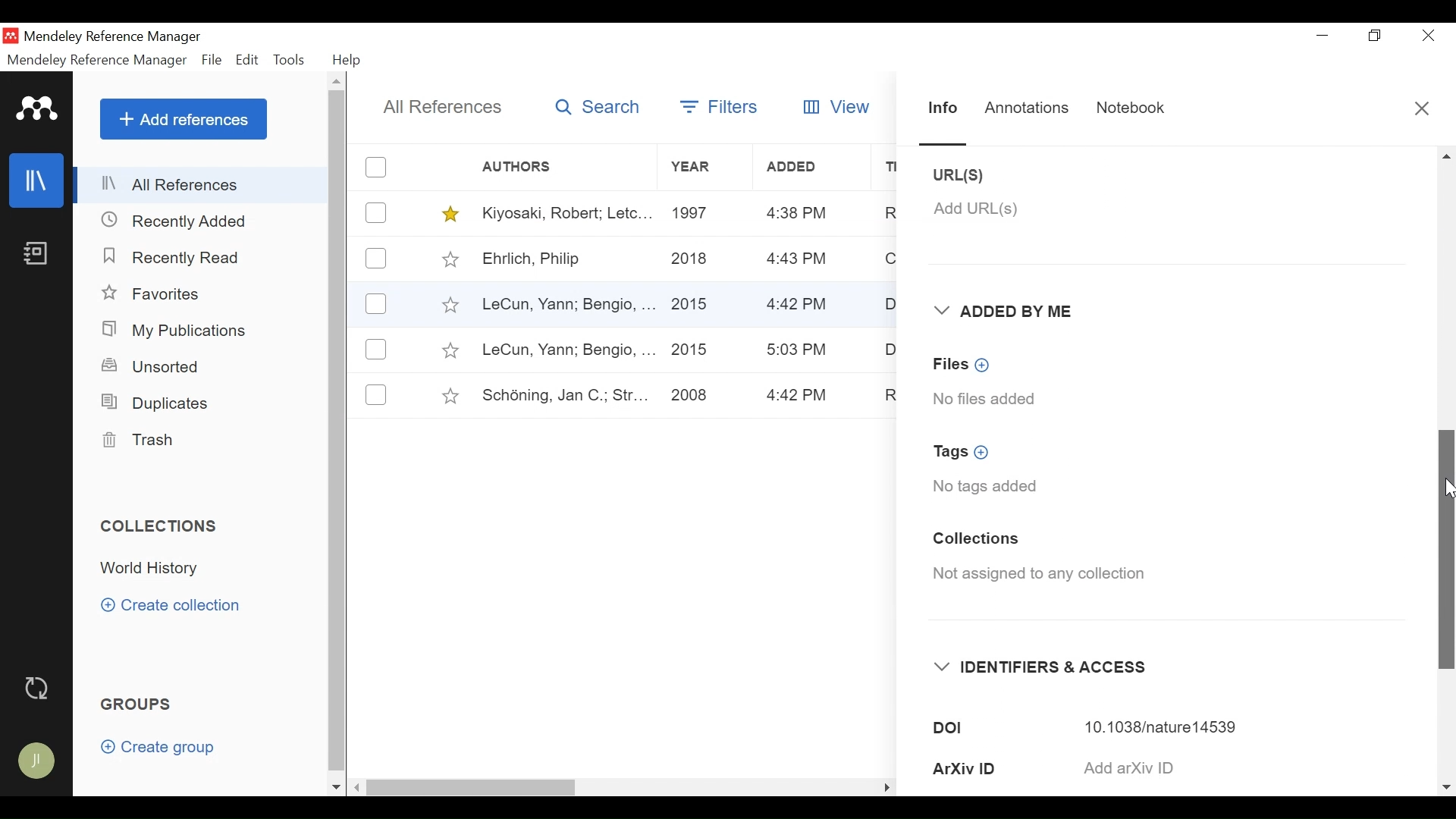  I want to click on Edit, so click(248, 60).